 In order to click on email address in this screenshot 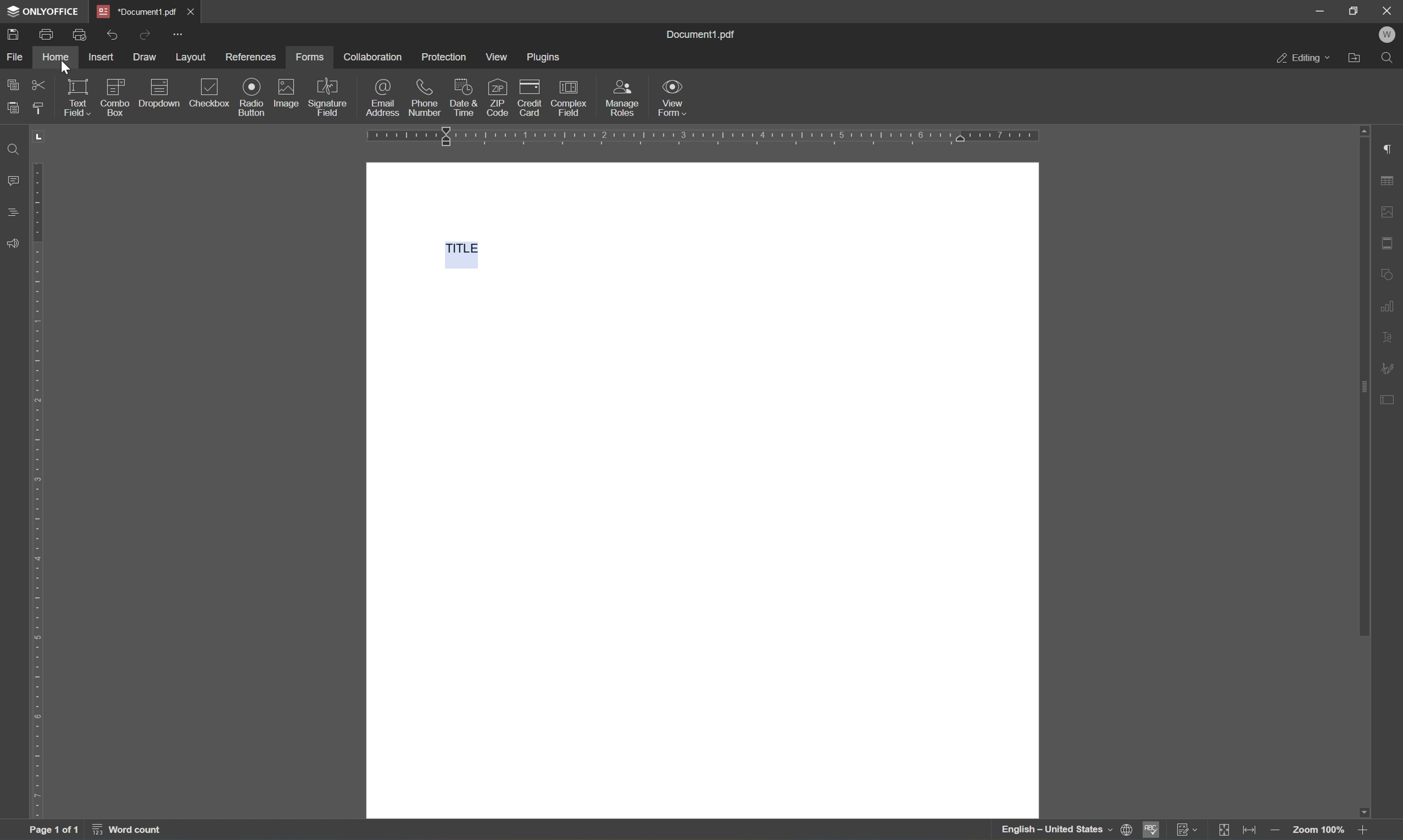, I will do `click(383, 98)`.